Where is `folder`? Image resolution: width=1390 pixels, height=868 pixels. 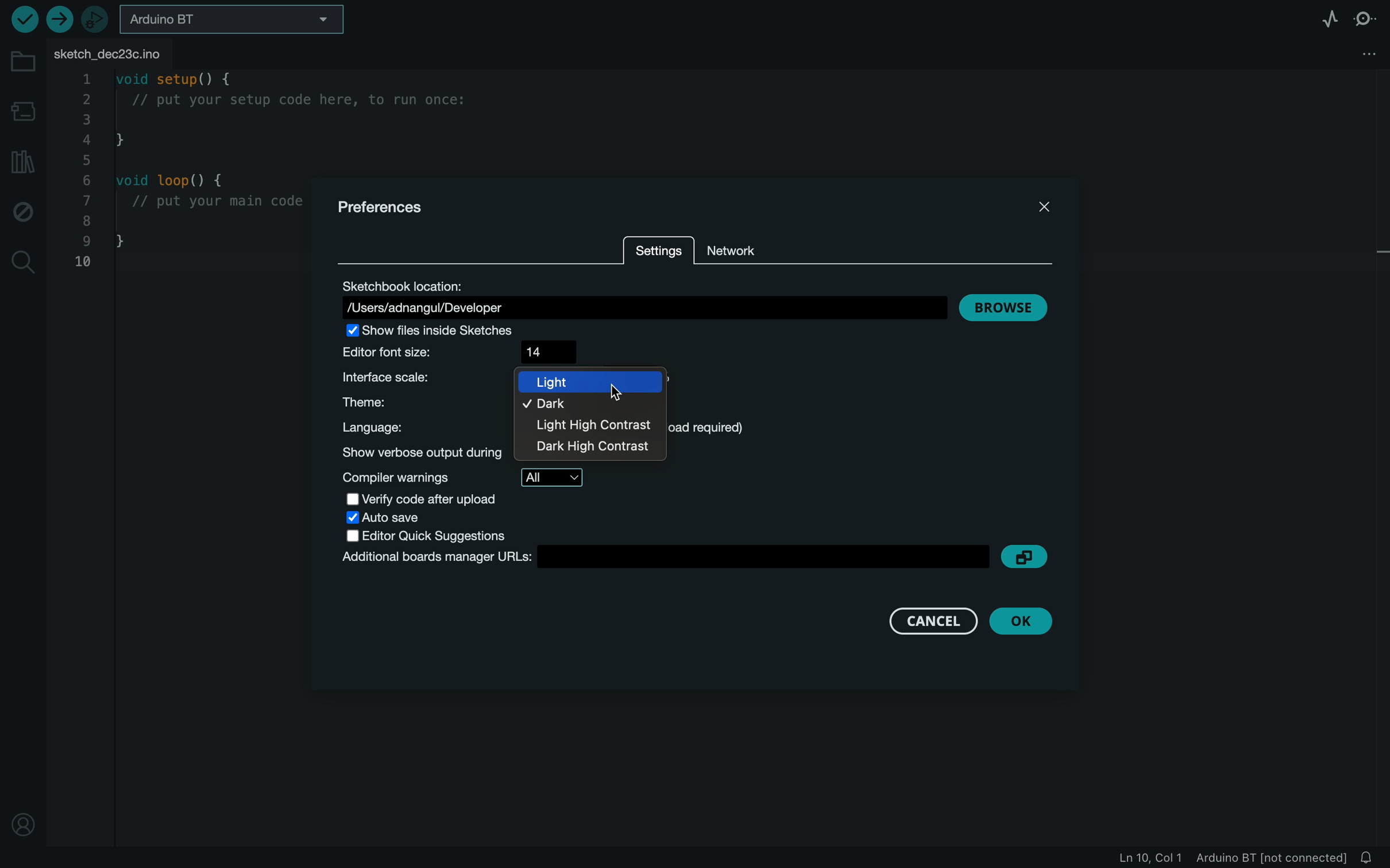 folder is located at coordinates (24, 63).